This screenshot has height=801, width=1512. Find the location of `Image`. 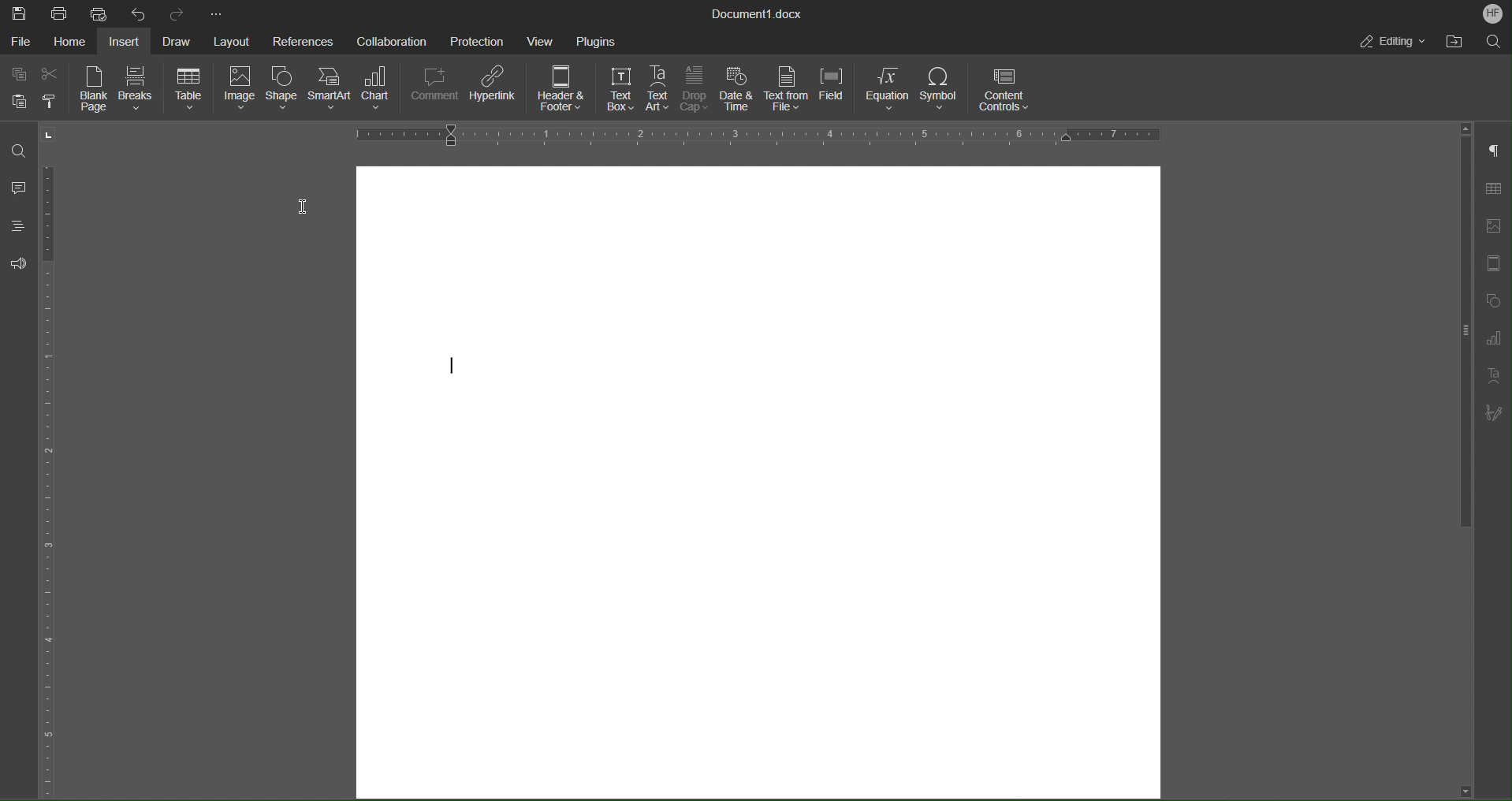

Image is located at coordinates (239, 90).